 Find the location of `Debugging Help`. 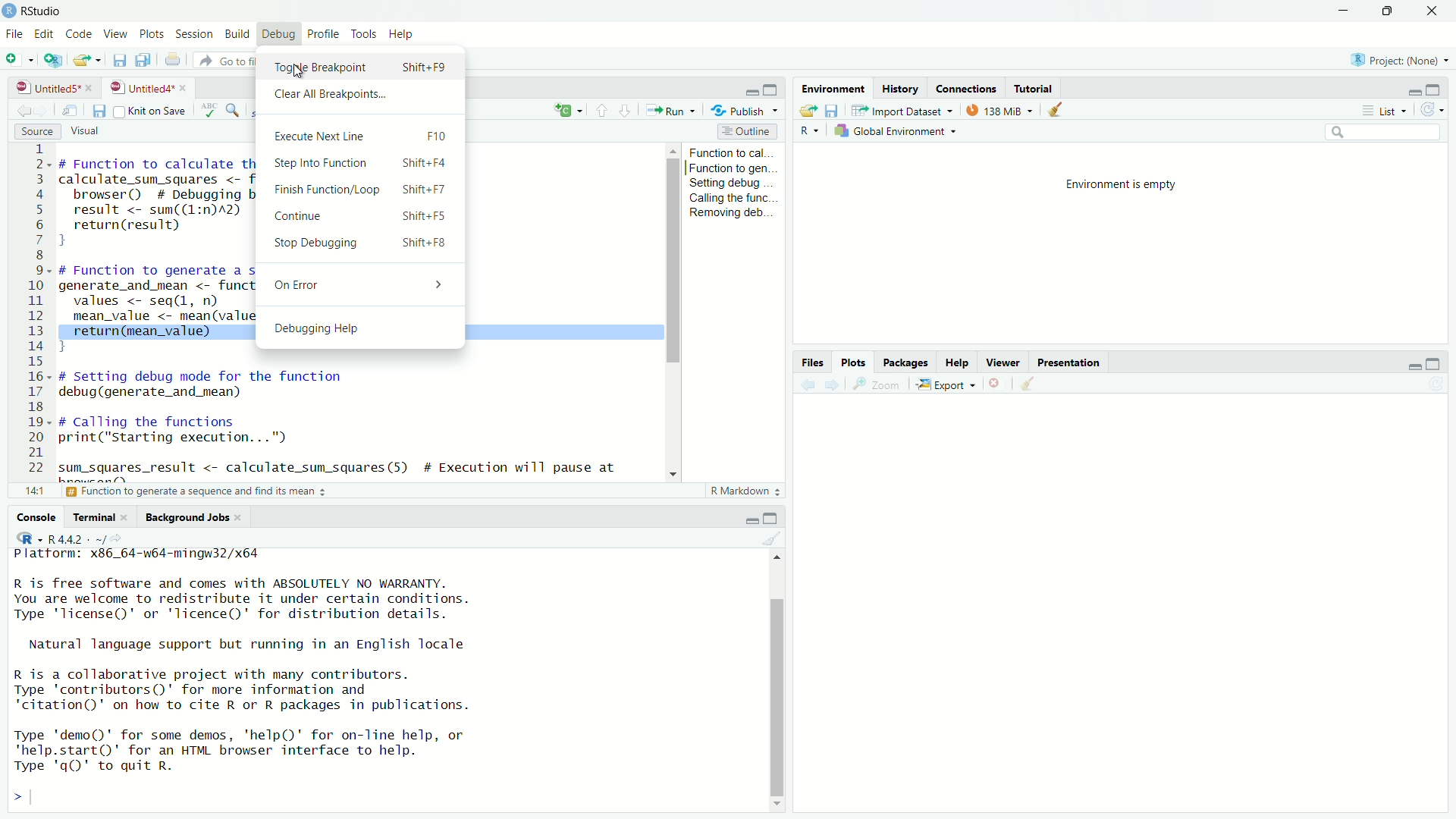

Debugging Help is located at coordinates (341, 330).